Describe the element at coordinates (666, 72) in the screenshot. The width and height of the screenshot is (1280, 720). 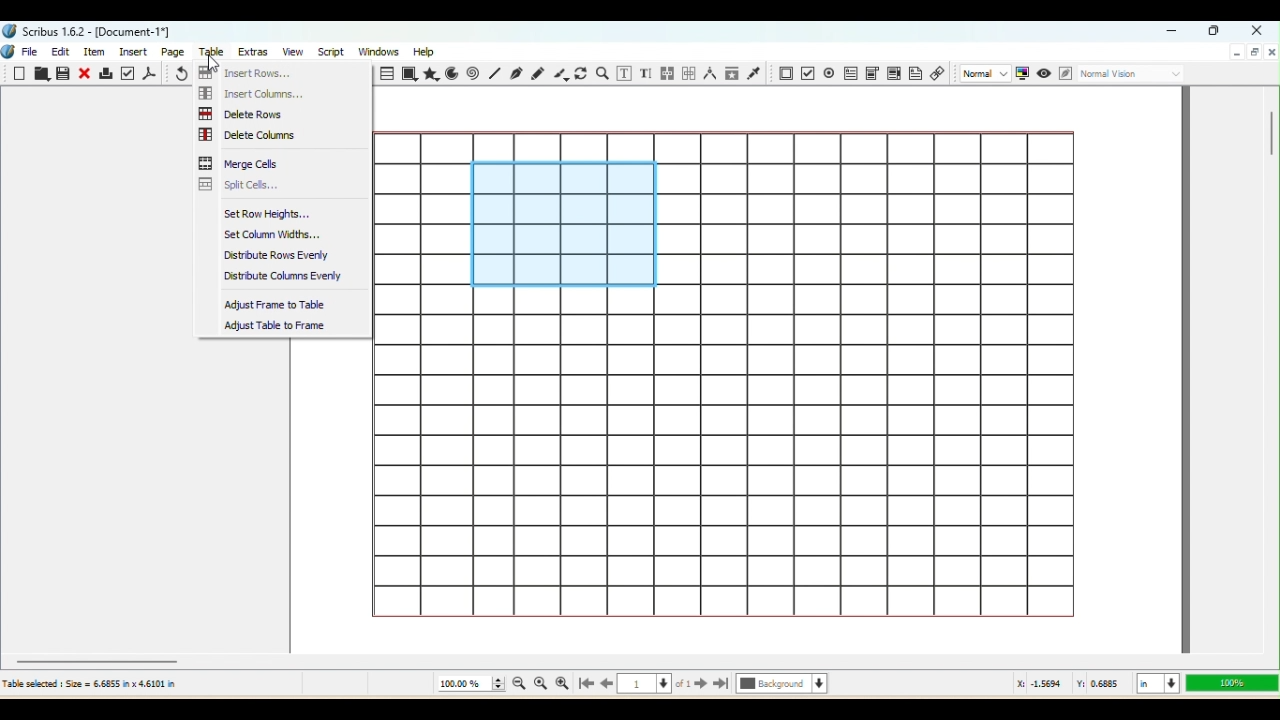
I see `Link text frames` at that location.